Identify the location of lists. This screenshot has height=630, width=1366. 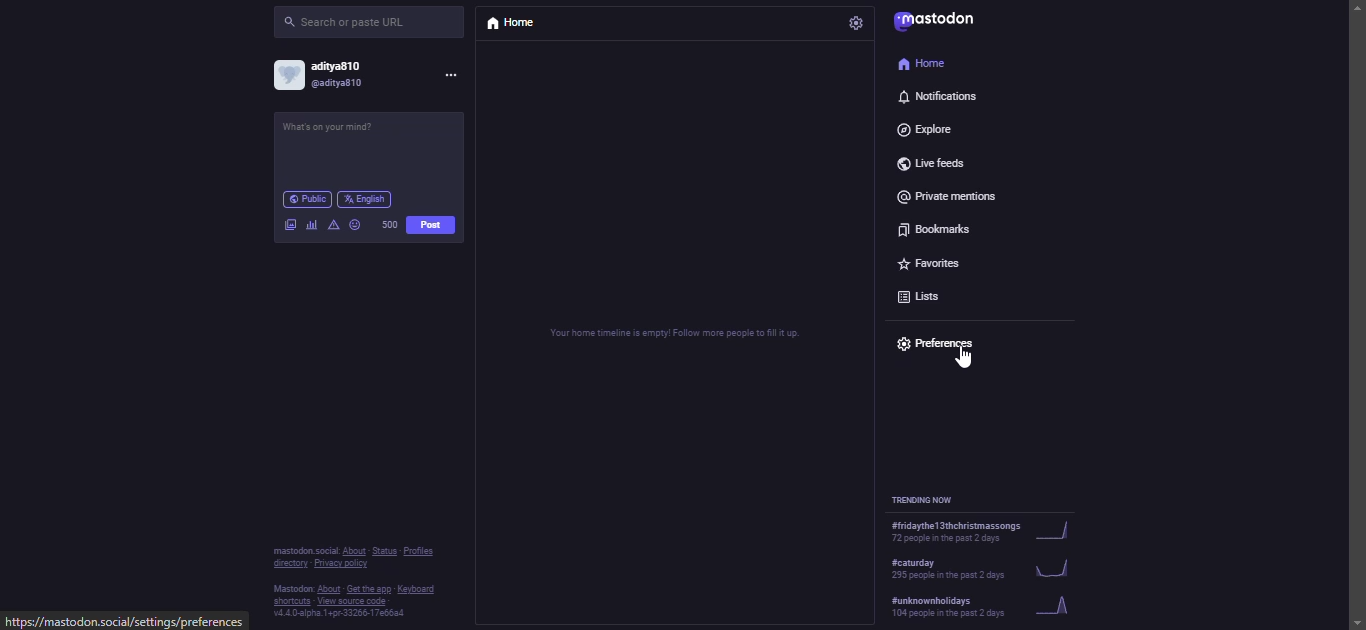
(924, 297).